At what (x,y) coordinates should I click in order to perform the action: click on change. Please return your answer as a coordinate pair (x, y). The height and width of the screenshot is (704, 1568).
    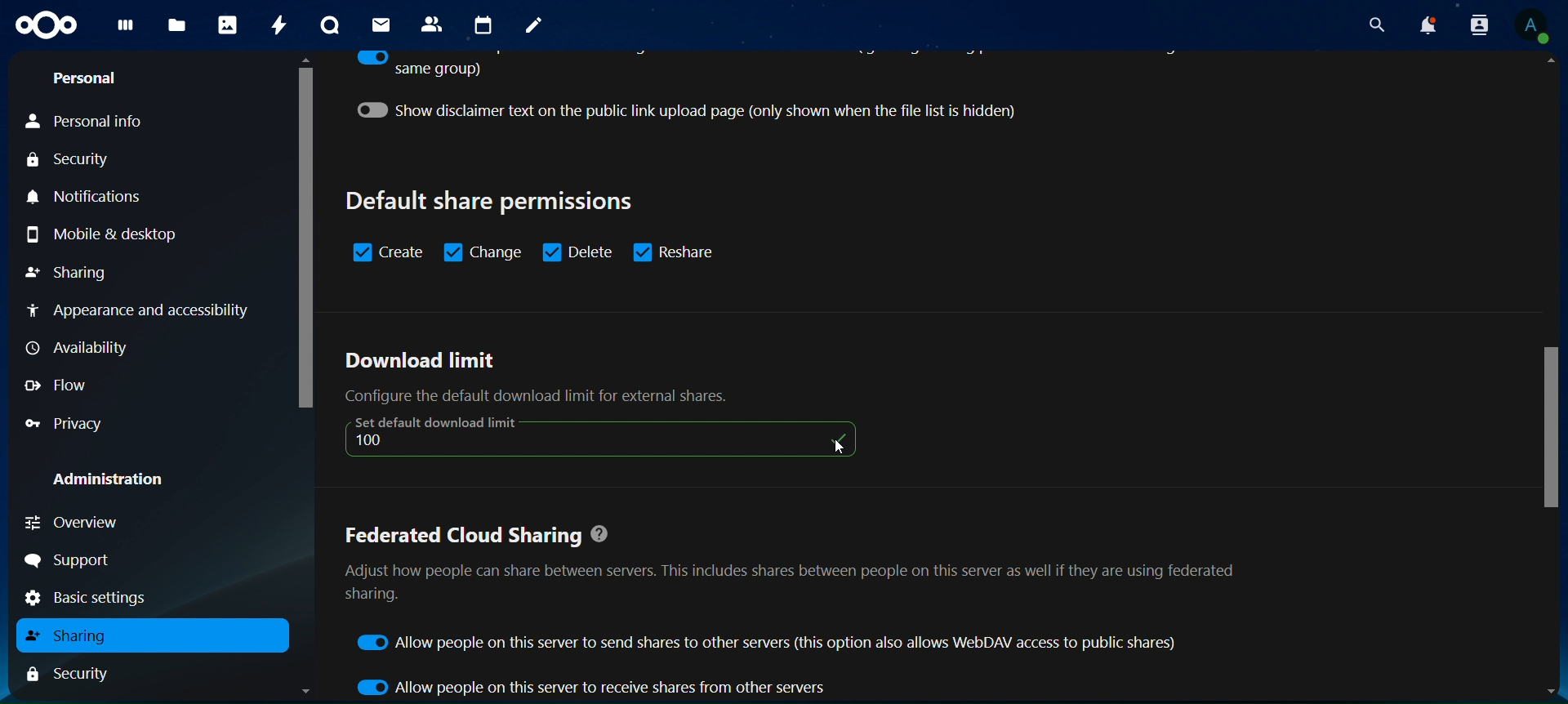
    Looking at the image, I should click on (484, 251).